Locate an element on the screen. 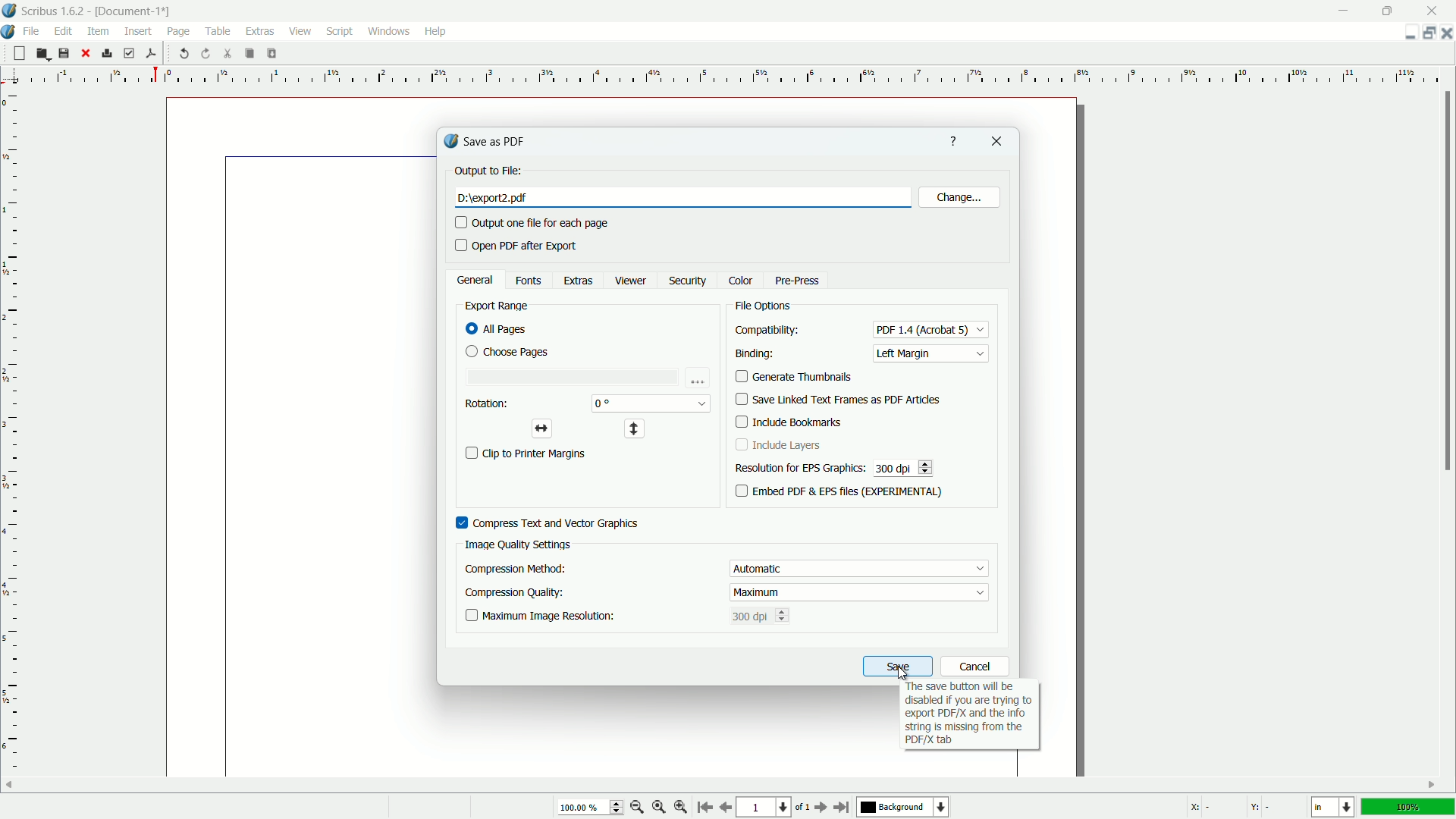  app icon is located at coordinates (449, 141).